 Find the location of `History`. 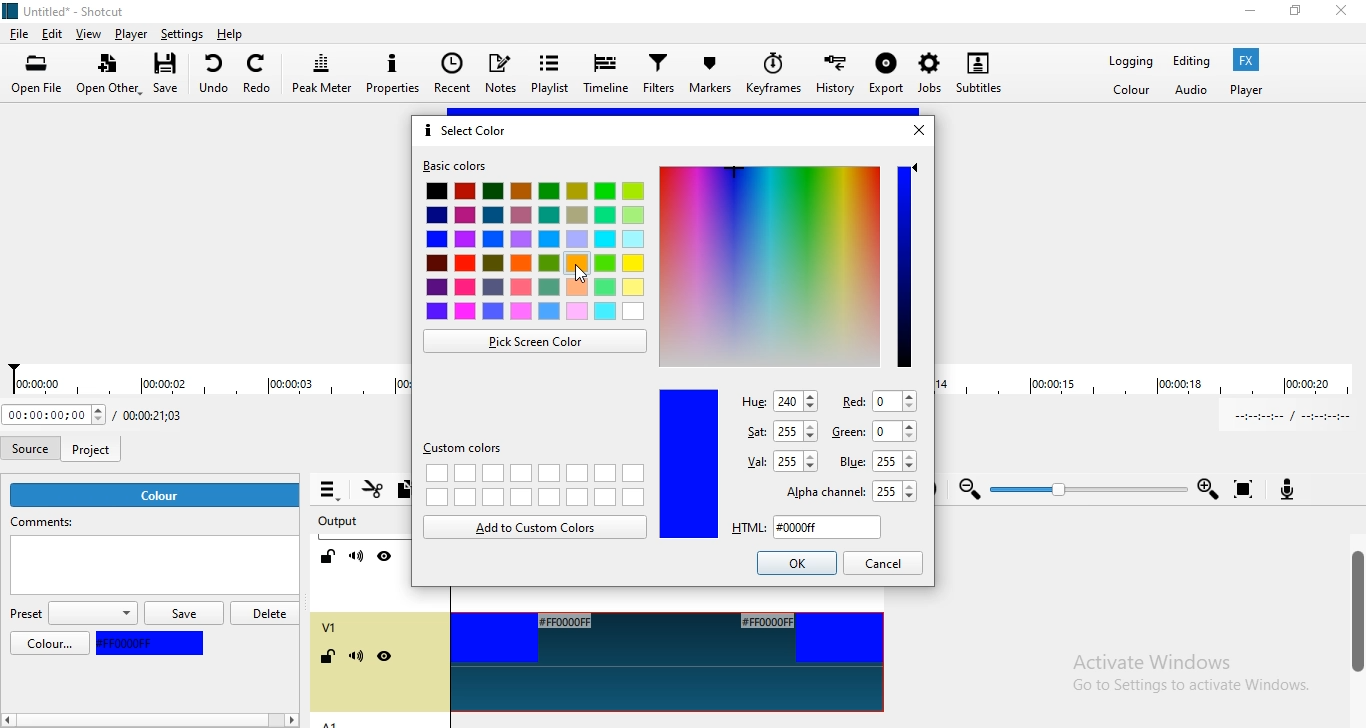

History is located at coordinates (838, 80).